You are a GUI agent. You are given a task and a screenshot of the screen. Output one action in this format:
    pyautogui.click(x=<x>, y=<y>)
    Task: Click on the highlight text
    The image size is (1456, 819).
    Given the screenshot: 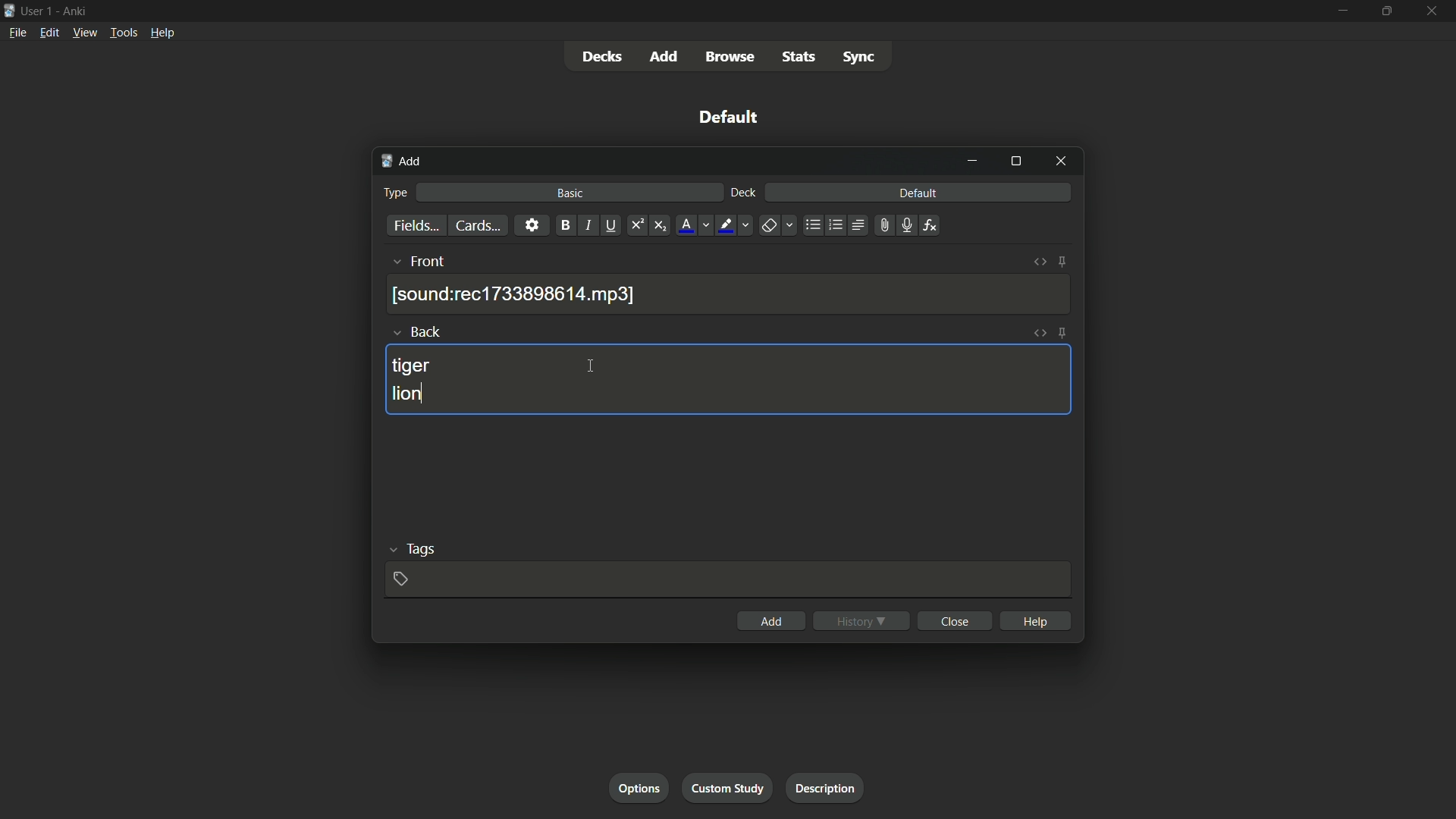 What is the action you would take?
    pyautogui.click(x=725, y=225)
    